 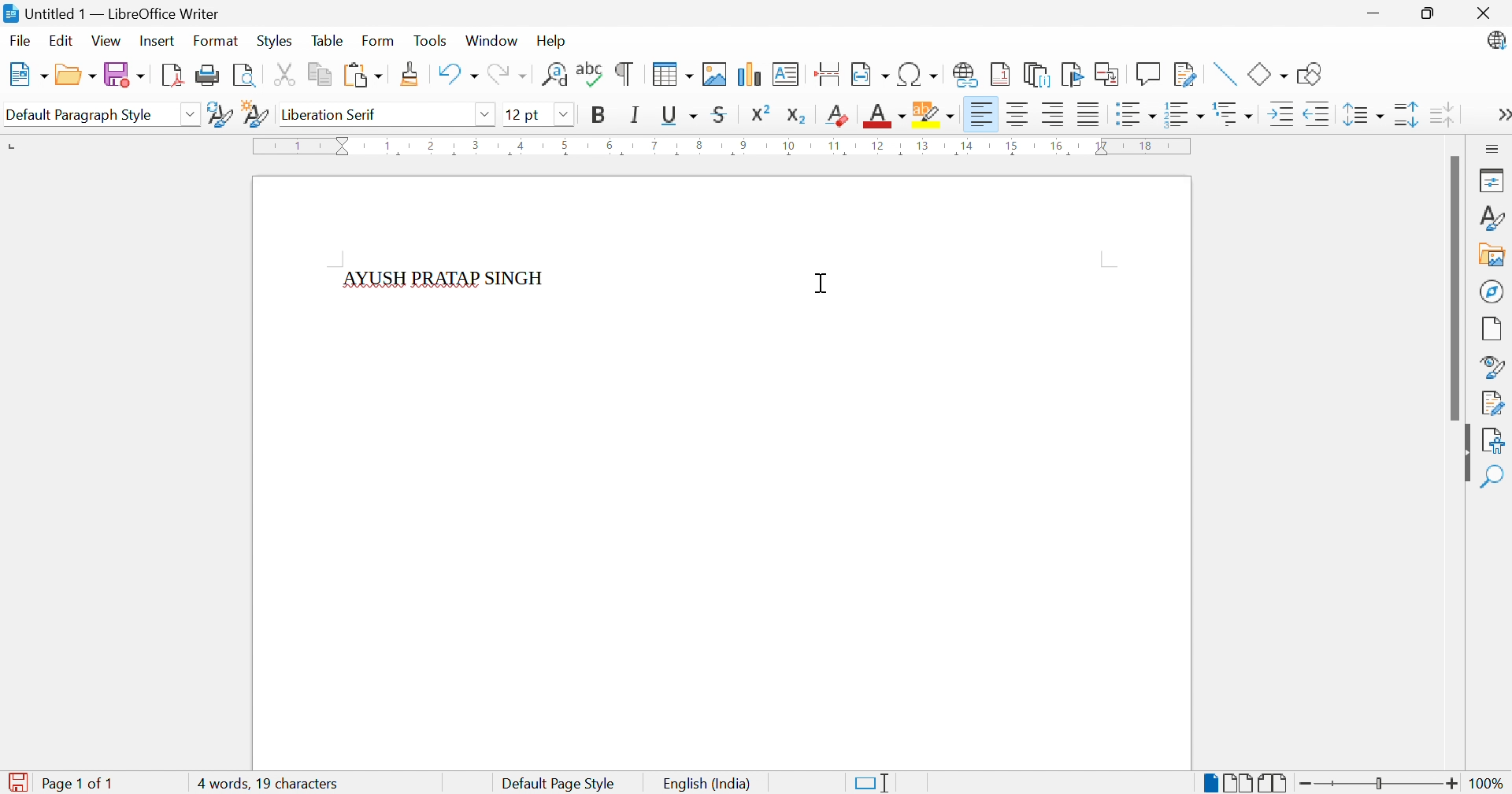 What do you see at coordinates (1488, 782) in the screenshot?
I see `100%` at bounding box center [1488, 782].